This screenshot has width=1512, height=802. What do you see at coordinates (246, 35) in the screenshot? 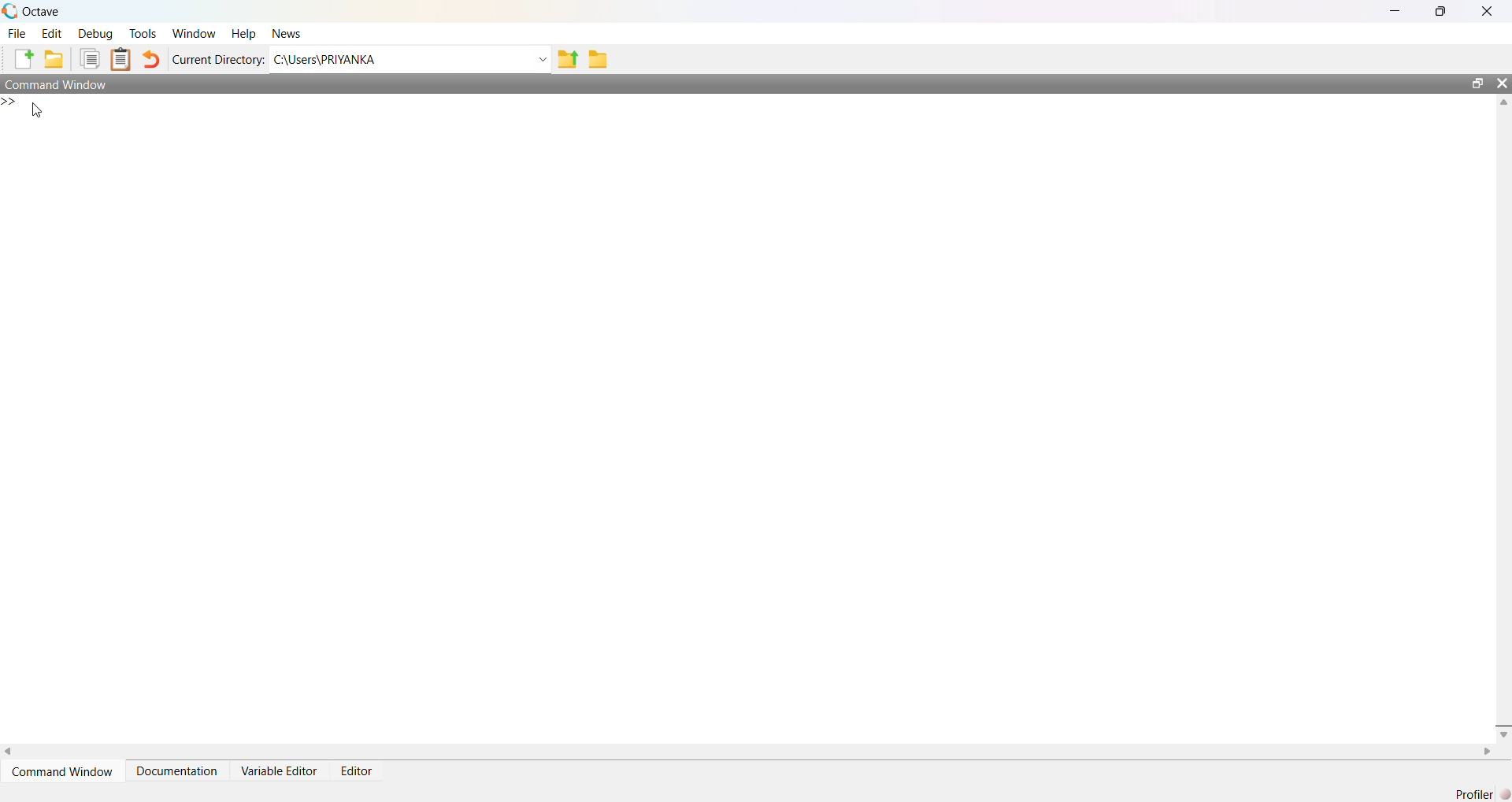
I see `help` at bounding box center [246, 35].